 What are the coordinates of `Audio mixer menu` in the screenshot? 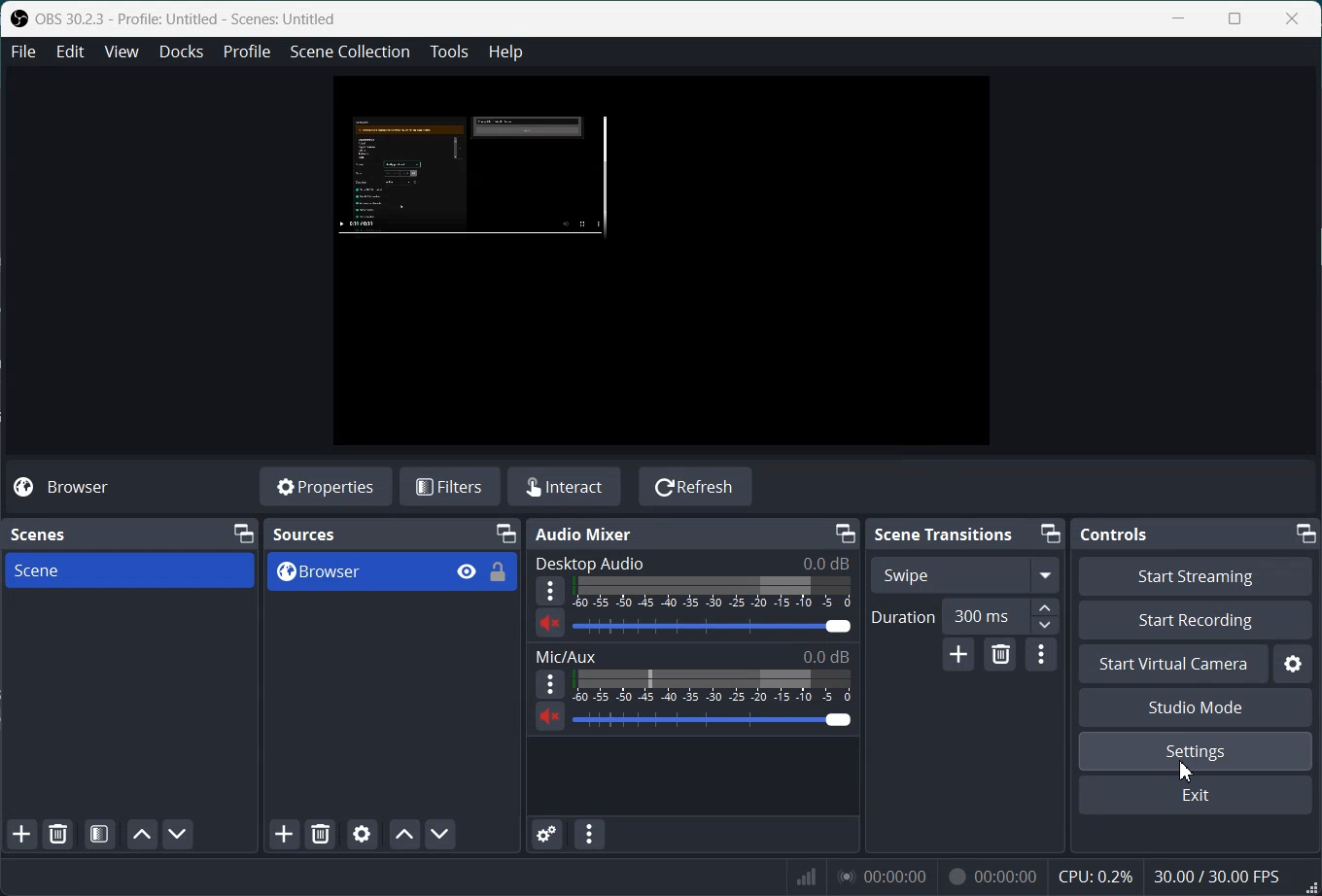 It's located at (591, 834).